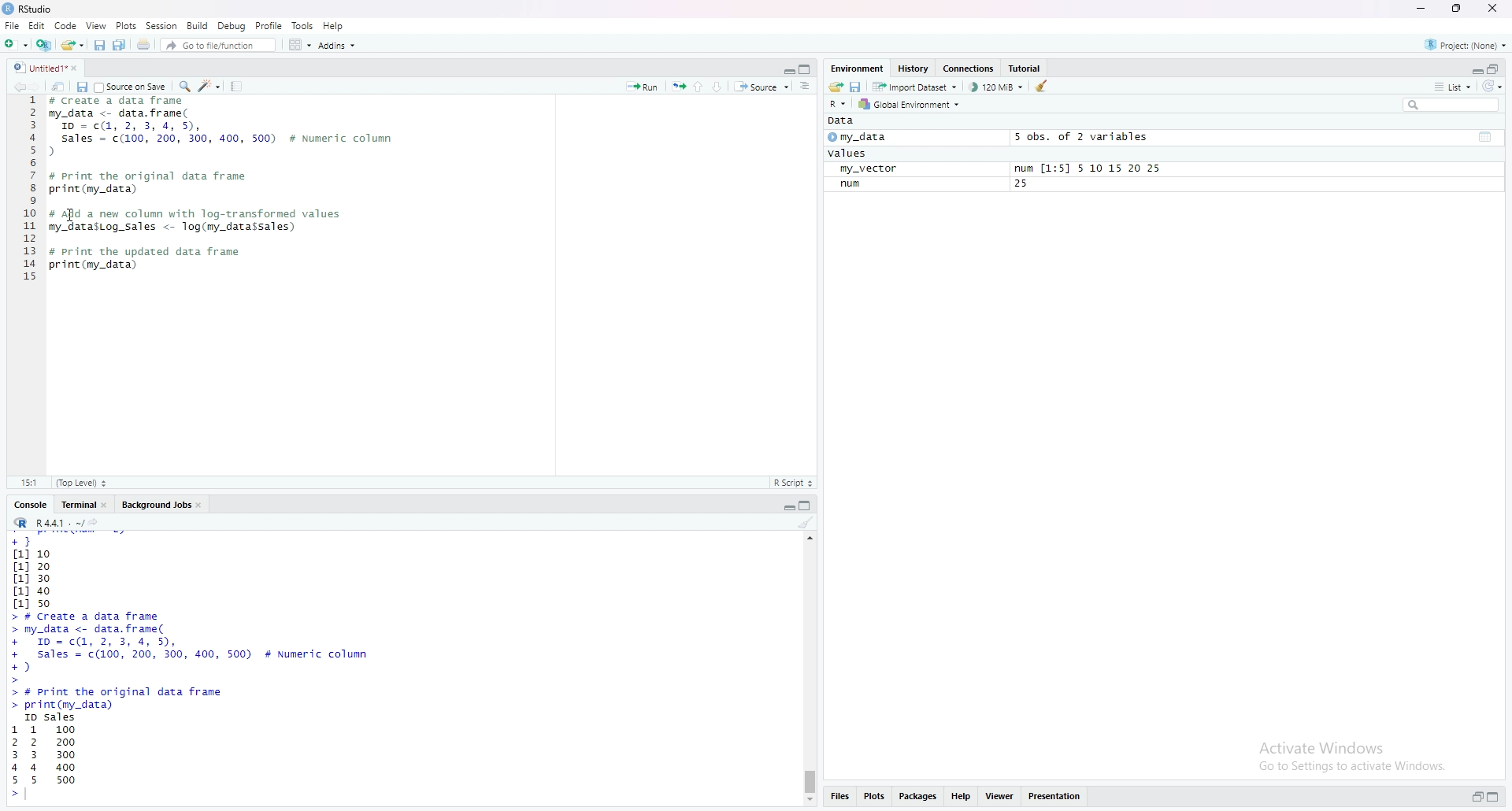 This screenshot has height=811, width=1512. Describe the element at coordinates (269, 25) in the screenshot. I see `Profile` at that location.